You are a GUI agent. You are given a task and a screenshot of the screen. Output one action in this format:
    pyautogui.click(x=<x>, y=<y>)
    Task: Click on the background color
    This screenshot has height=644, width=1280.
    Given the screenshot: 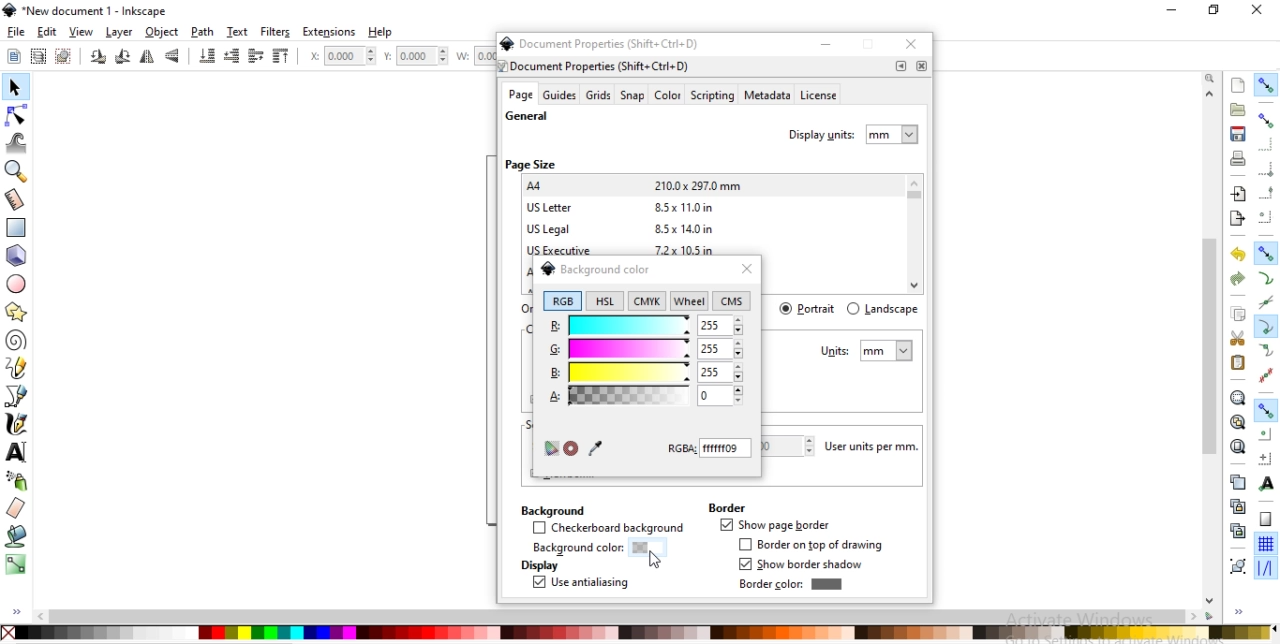 What is the action you would take?
    pyautogui.click(x=595, y=268)
    